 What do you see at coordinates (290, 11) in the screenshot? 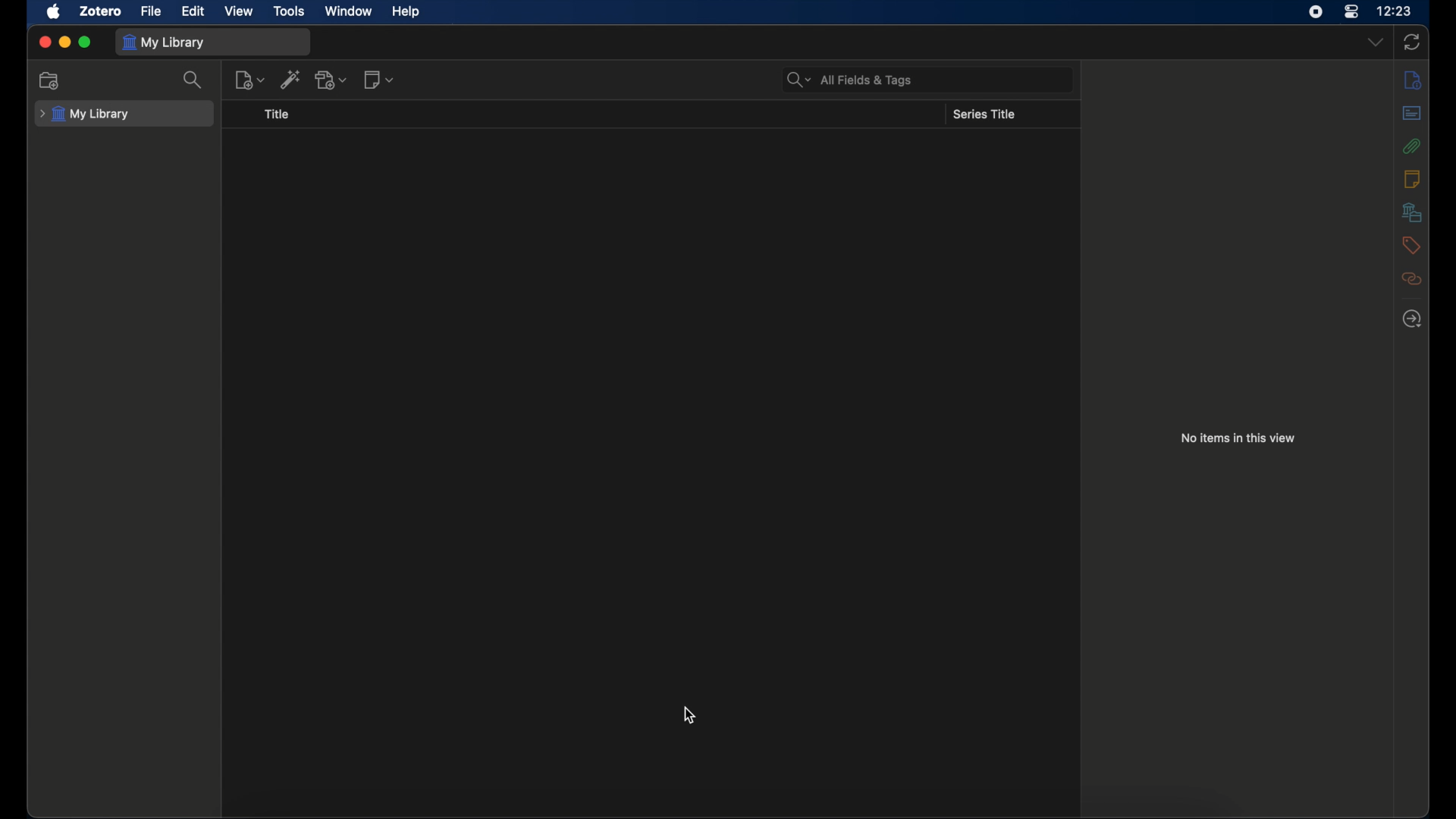
I see `tools` at bounding box center [290, 11].